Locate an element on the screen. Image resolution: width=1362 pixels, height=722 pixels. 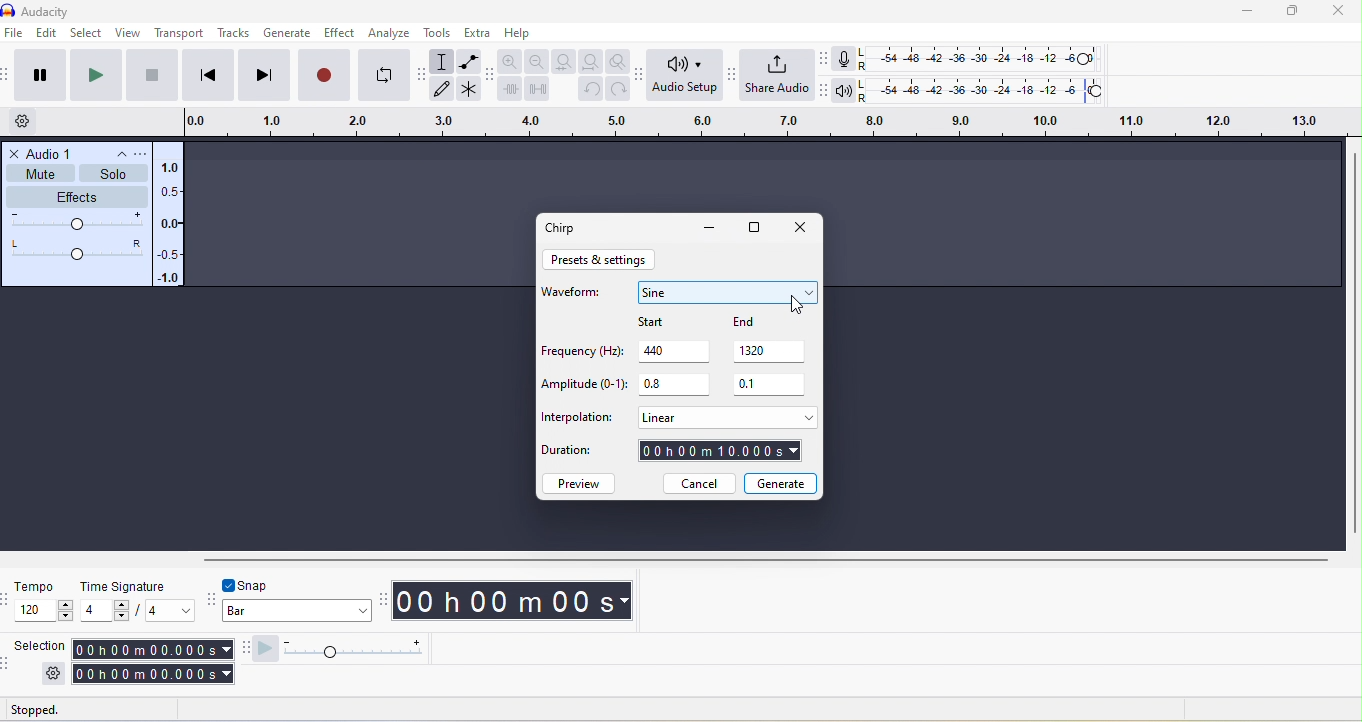
time signature is located at coordinates (120, 585).